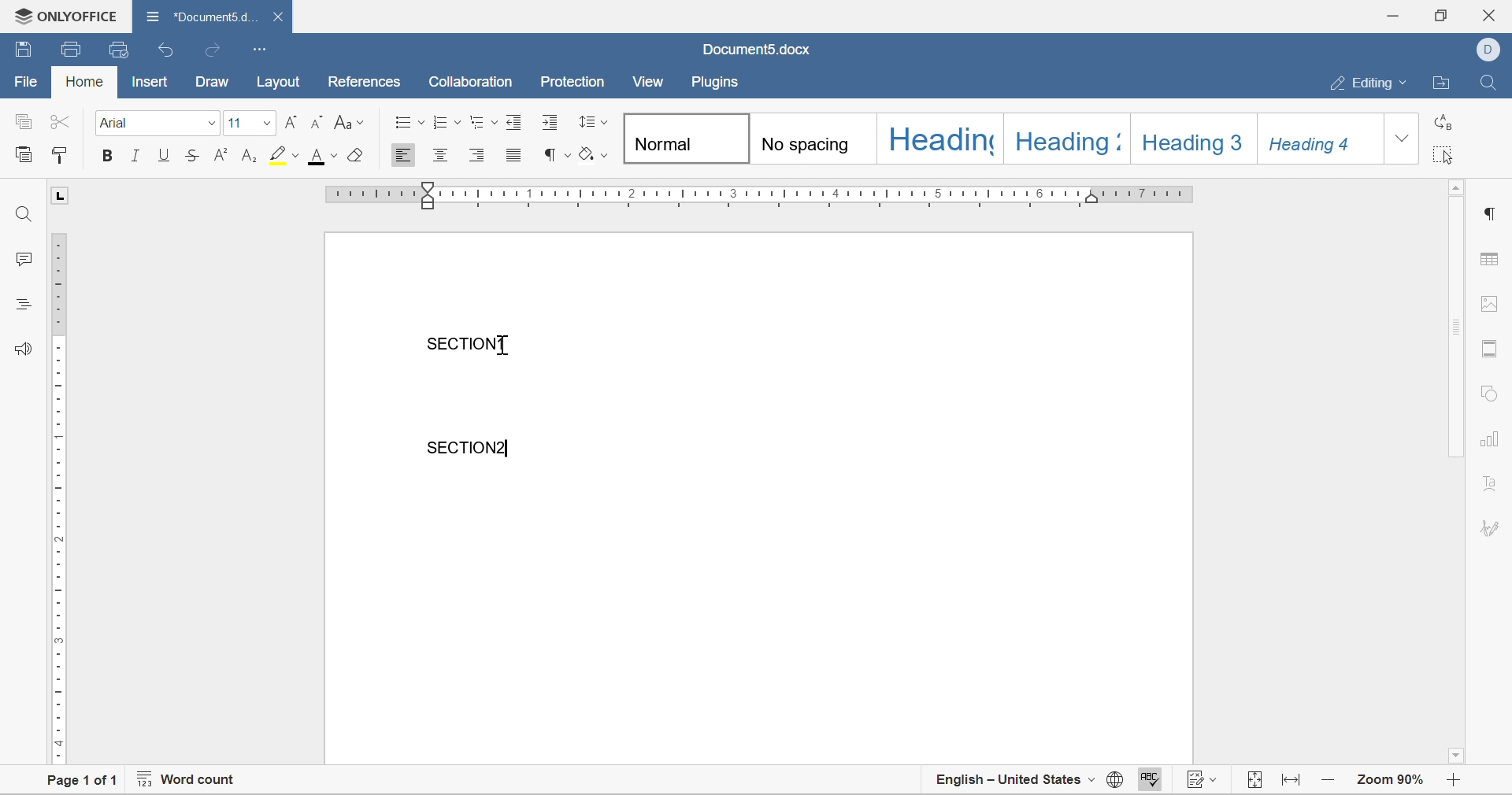 Image resolution: width=1512 pixels, height=795 pixels. What do you see at coordinates (59, 154) in the screenshot?
I see `copy style` at bounding box center [59, 154].